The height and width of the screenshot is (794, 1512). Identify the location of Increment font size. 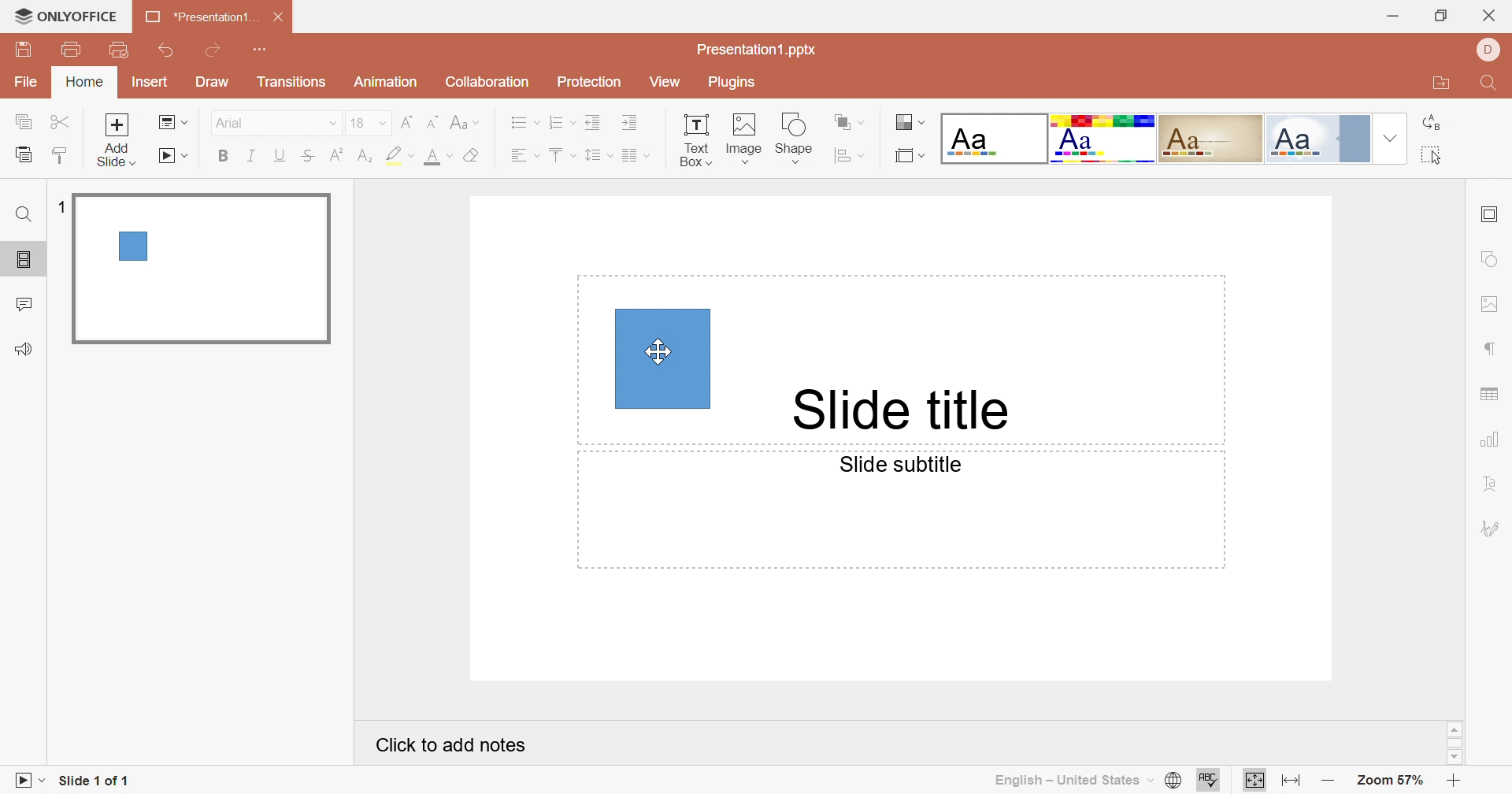
(403, 125).